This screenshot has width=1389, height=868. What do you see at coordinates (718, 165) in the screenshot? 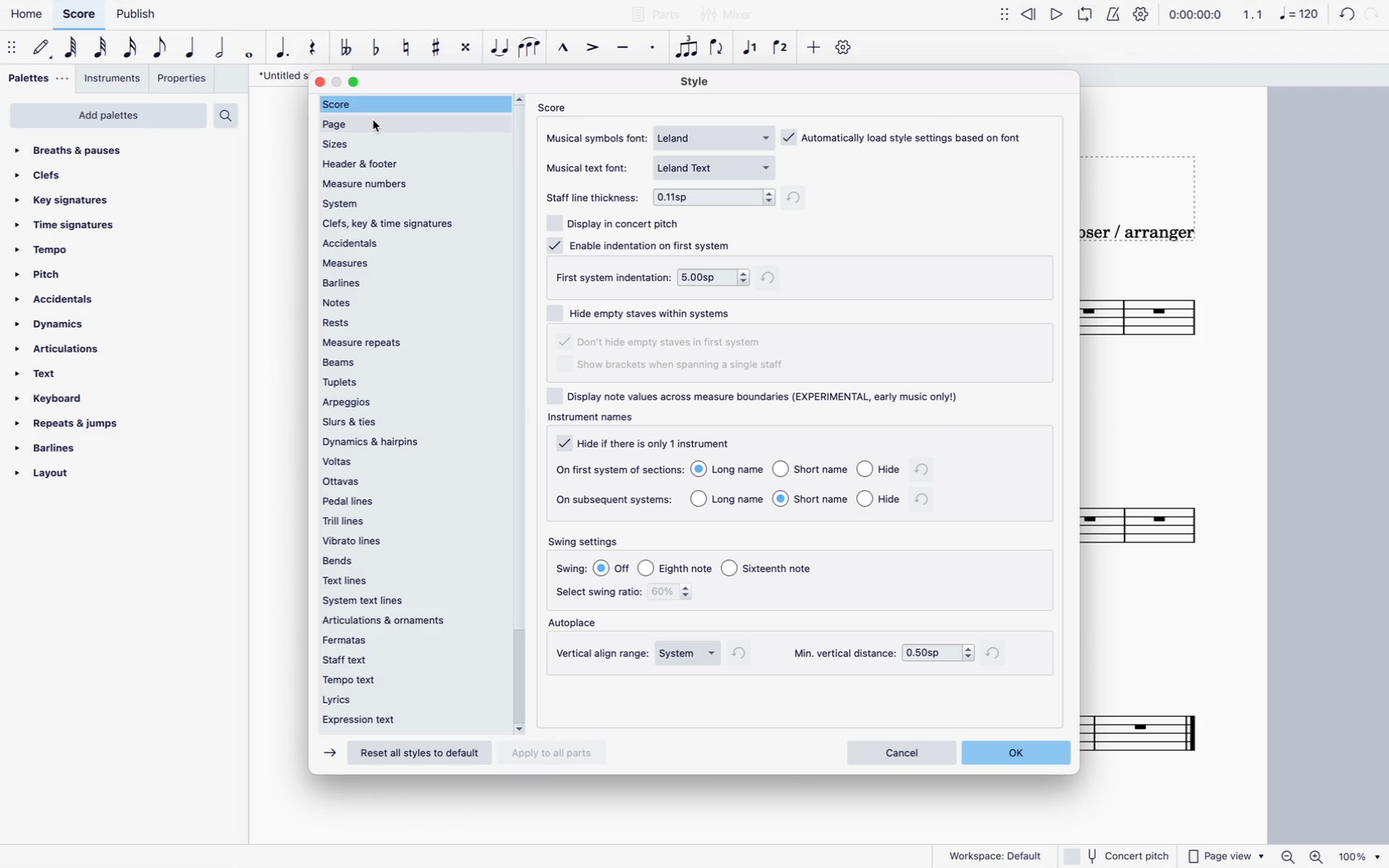
I see `font` at bounding box center [718, 165].